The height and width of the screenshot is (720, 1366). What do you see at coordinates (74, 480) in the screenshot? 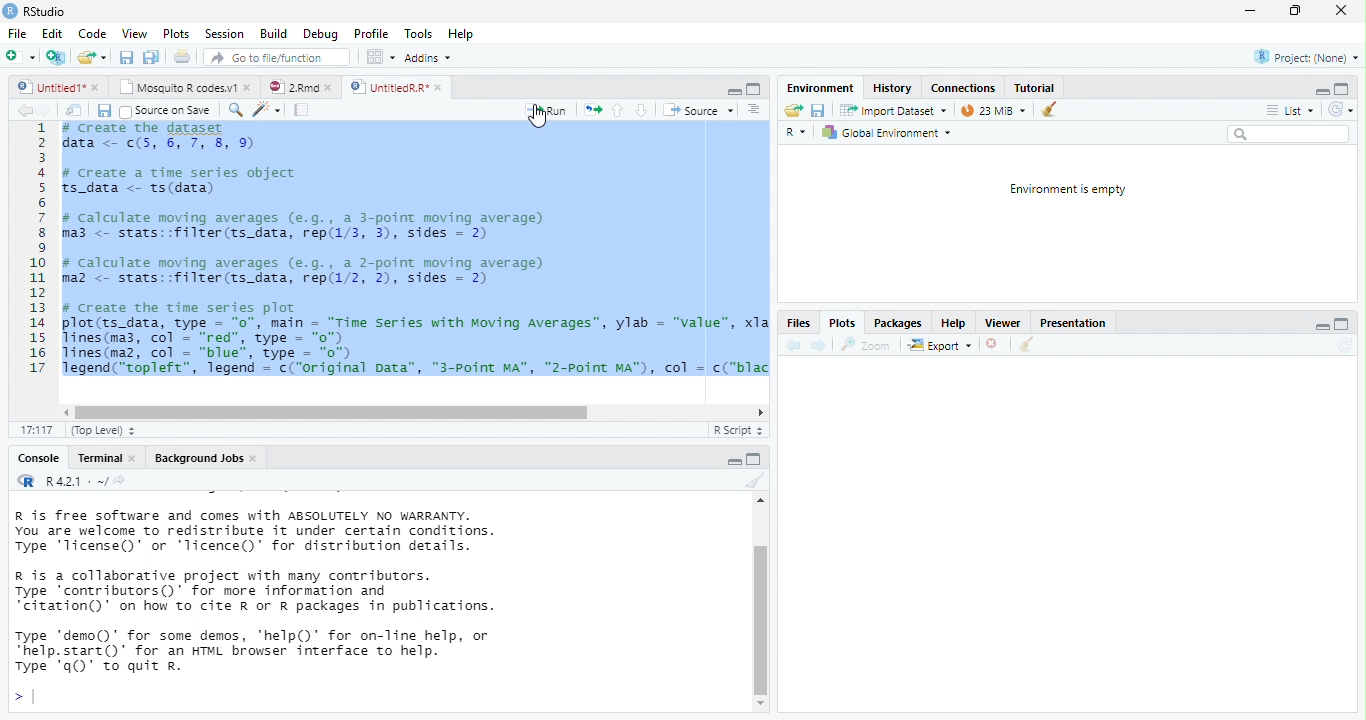
I see `R 4.2.1 . ~/` at bounding box center [74, 480].